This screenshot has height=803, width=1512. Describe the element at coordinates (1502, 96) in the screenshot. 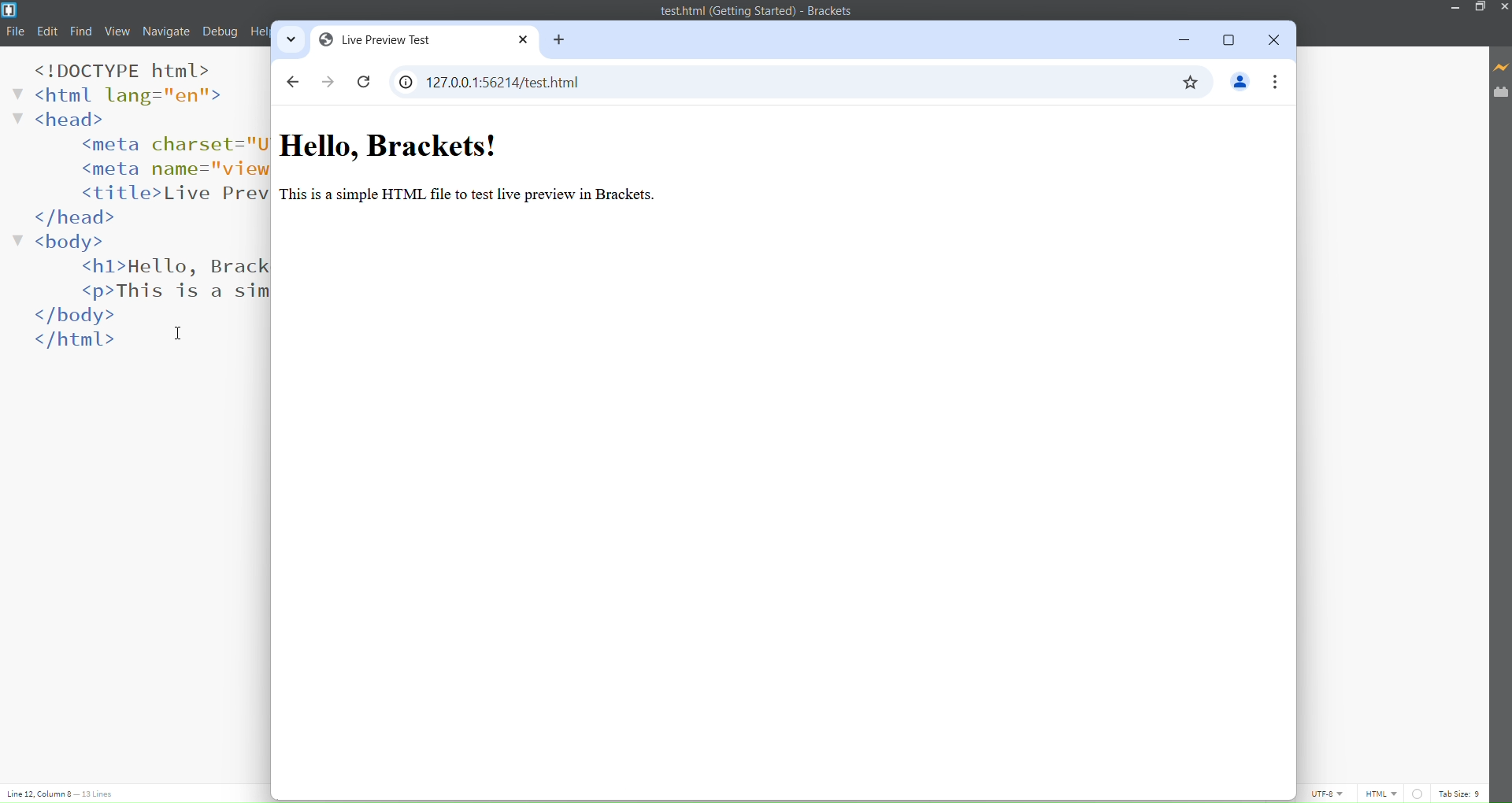

I see `extension manager` at that location.